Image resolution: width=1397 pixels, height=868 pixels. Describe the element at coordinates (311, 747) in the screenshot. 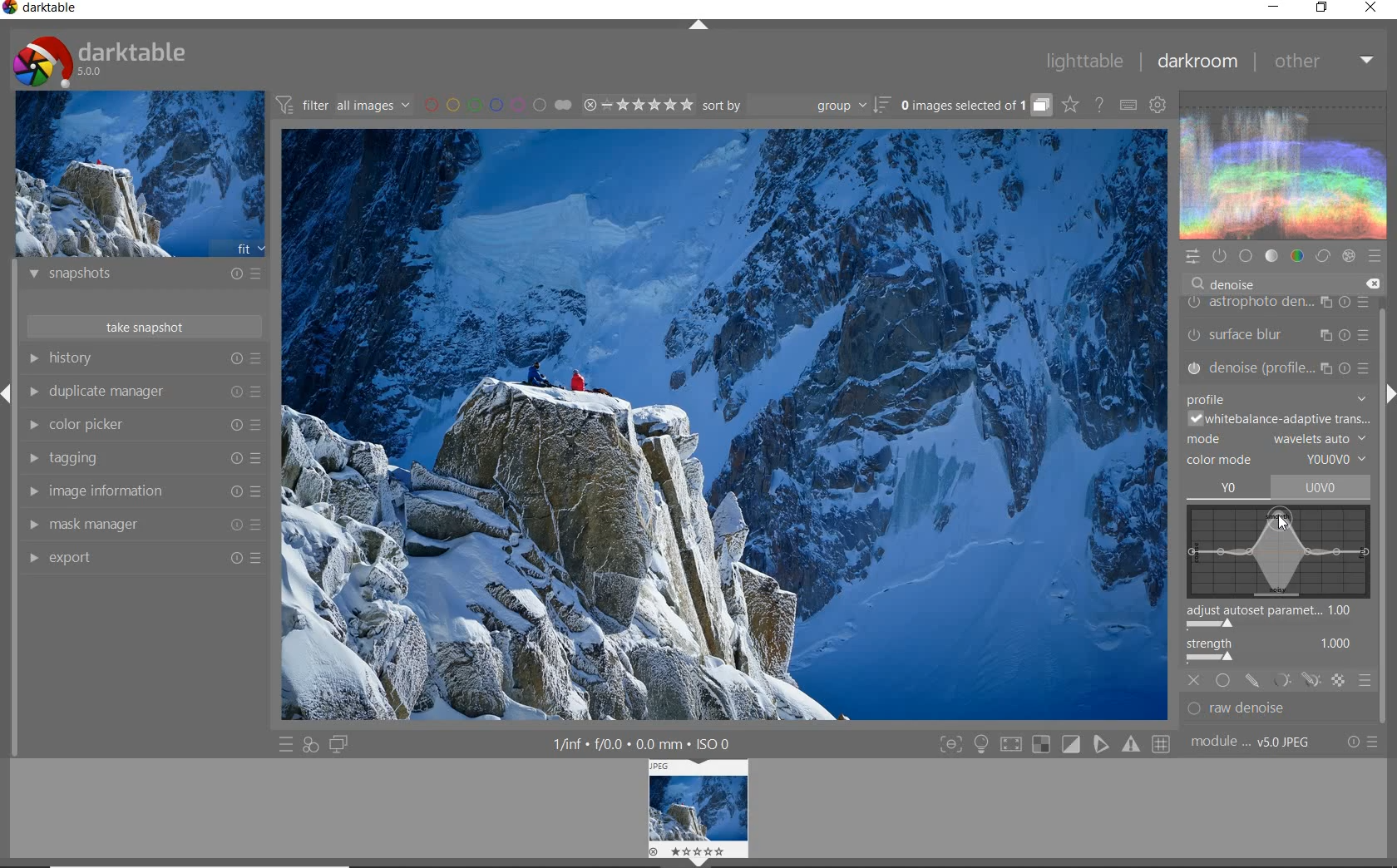

I see `quick access for applying any of your styles` at that location.